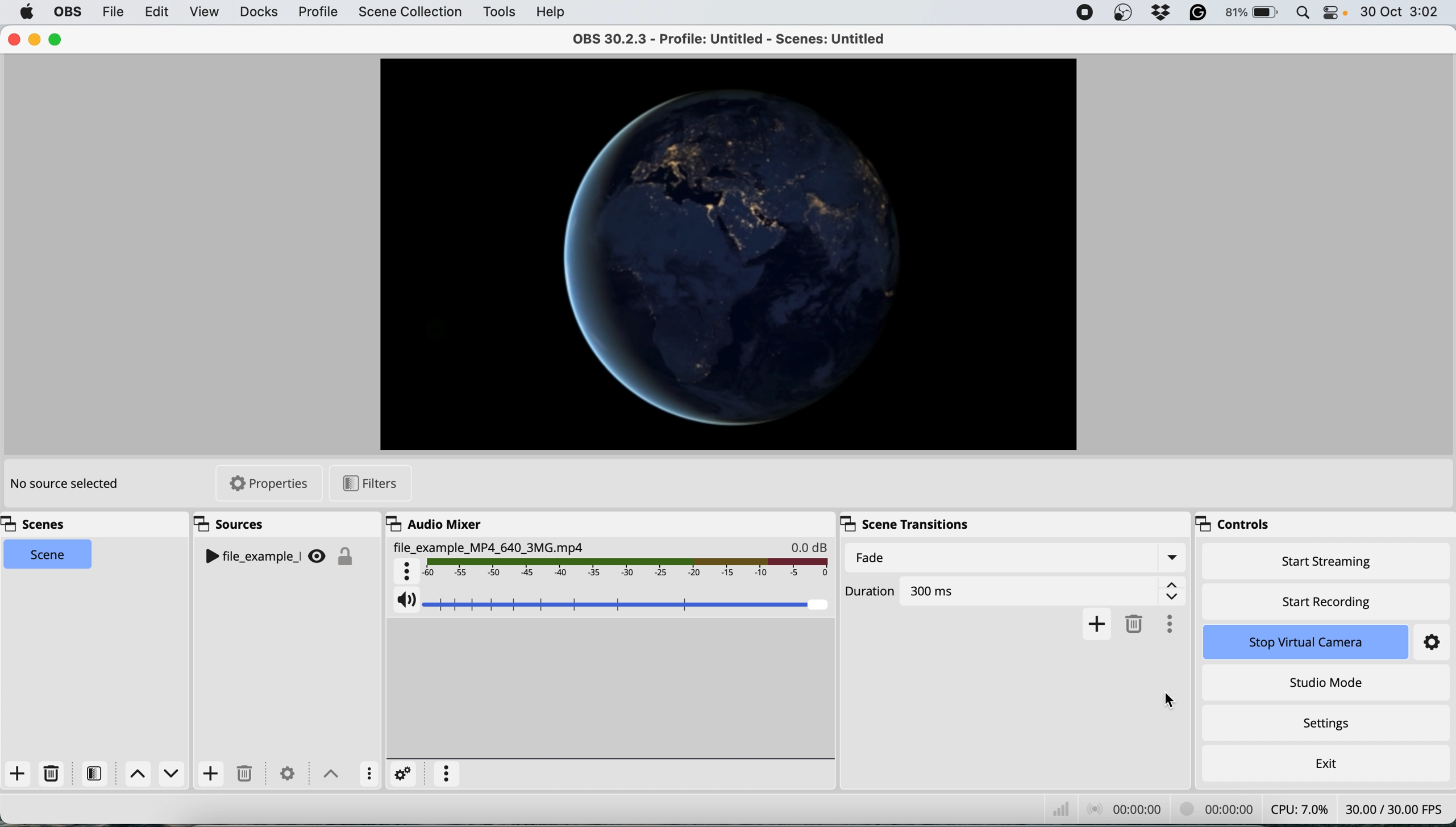 Image resolution: width=1456 pixels, height=827 pixels. What do you see at coordinates (729, 40) in the screenshot?
I see `OBS 30.2.3 - Profile: Untitled - Scenes: Untitled` at bounding box center [729, 40].